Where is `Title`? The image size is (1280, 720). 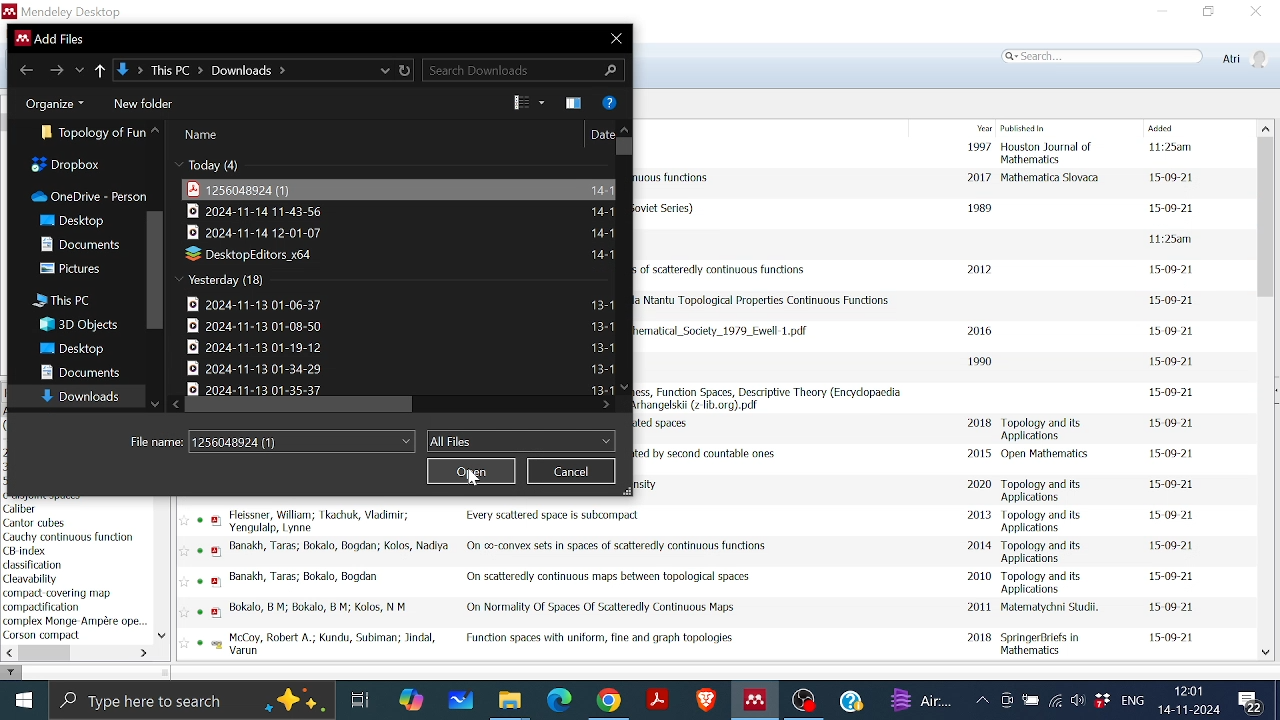
Title is located at coordinates (617, 544).